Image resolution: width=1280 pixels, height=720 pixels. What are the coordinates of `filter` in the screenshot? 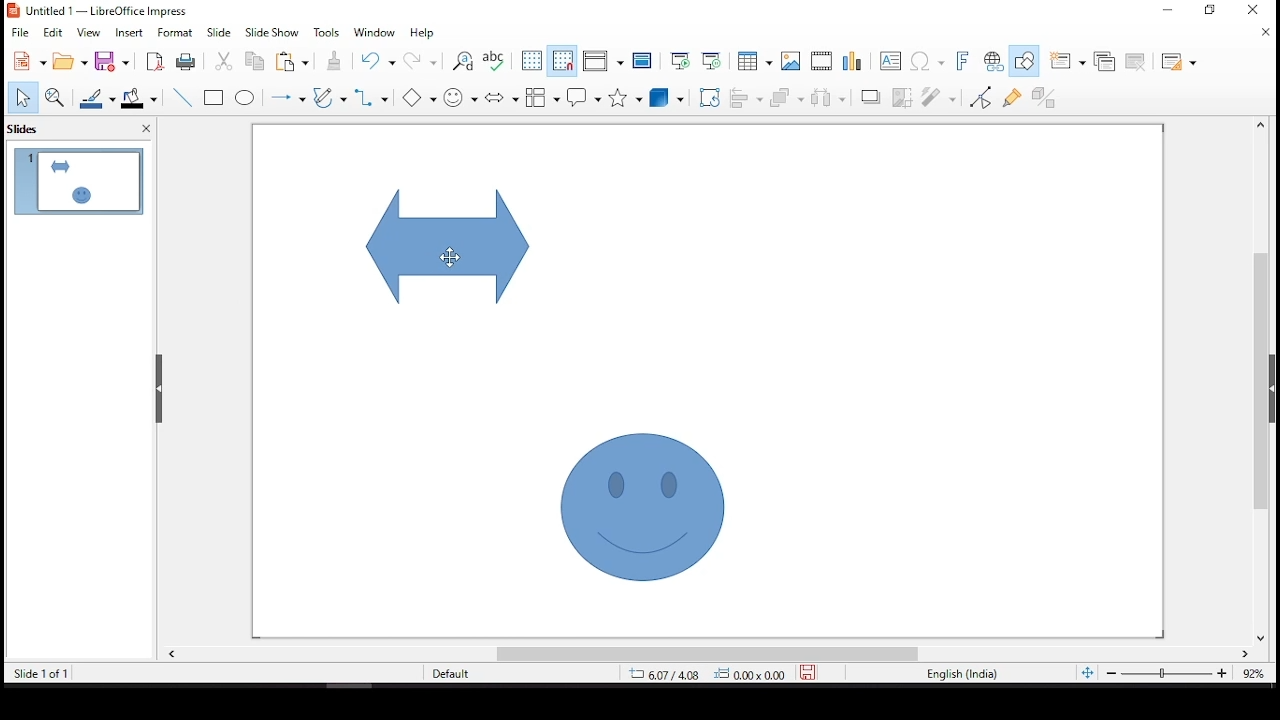 It's located at (940, 97).